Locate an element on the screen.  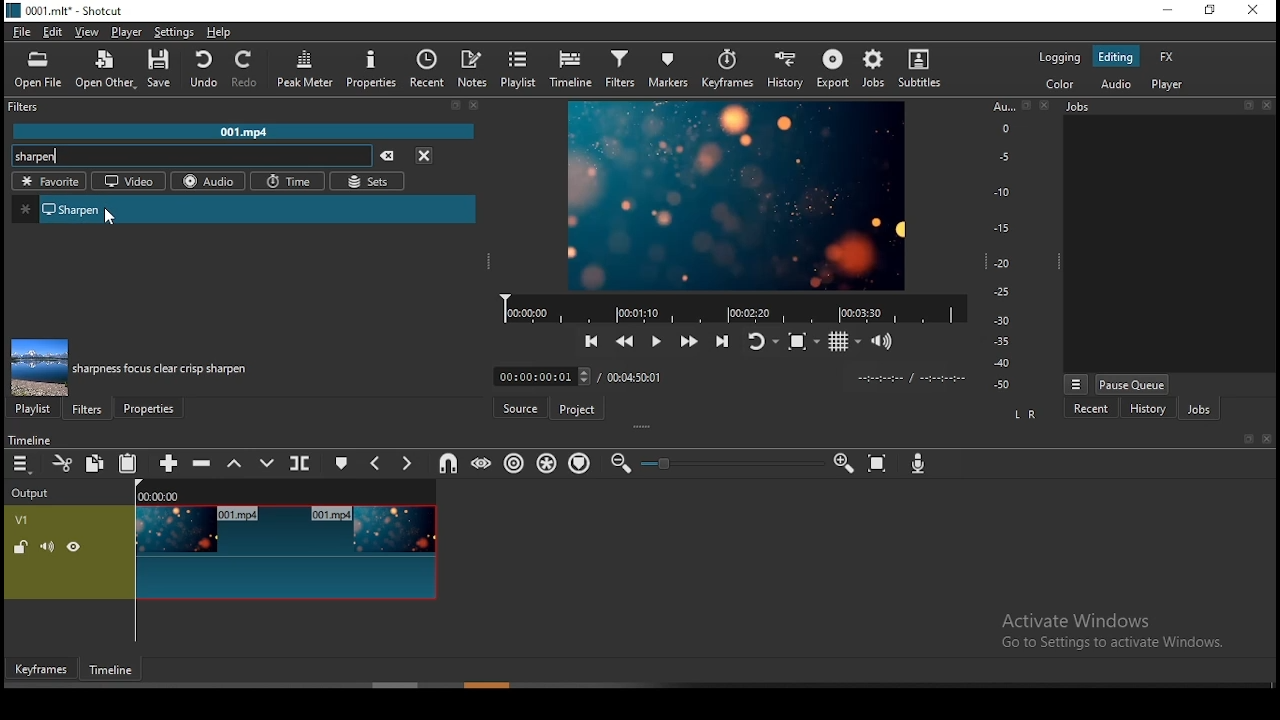
history is located at coordinates (780, 68).